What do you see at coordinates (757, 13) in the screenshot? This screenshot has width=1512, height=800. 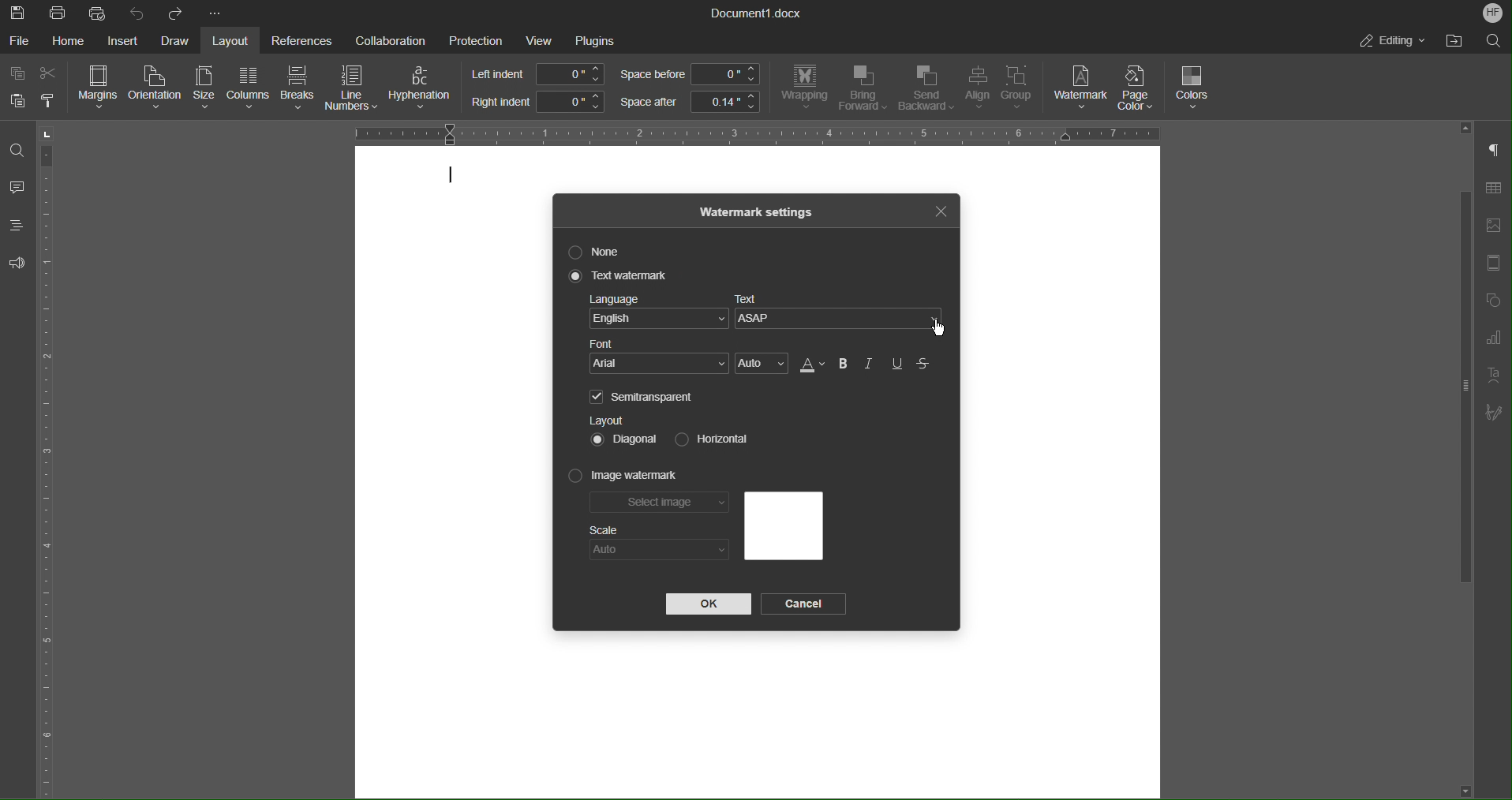 I see `Document Title` at bounding box center [757, 13].